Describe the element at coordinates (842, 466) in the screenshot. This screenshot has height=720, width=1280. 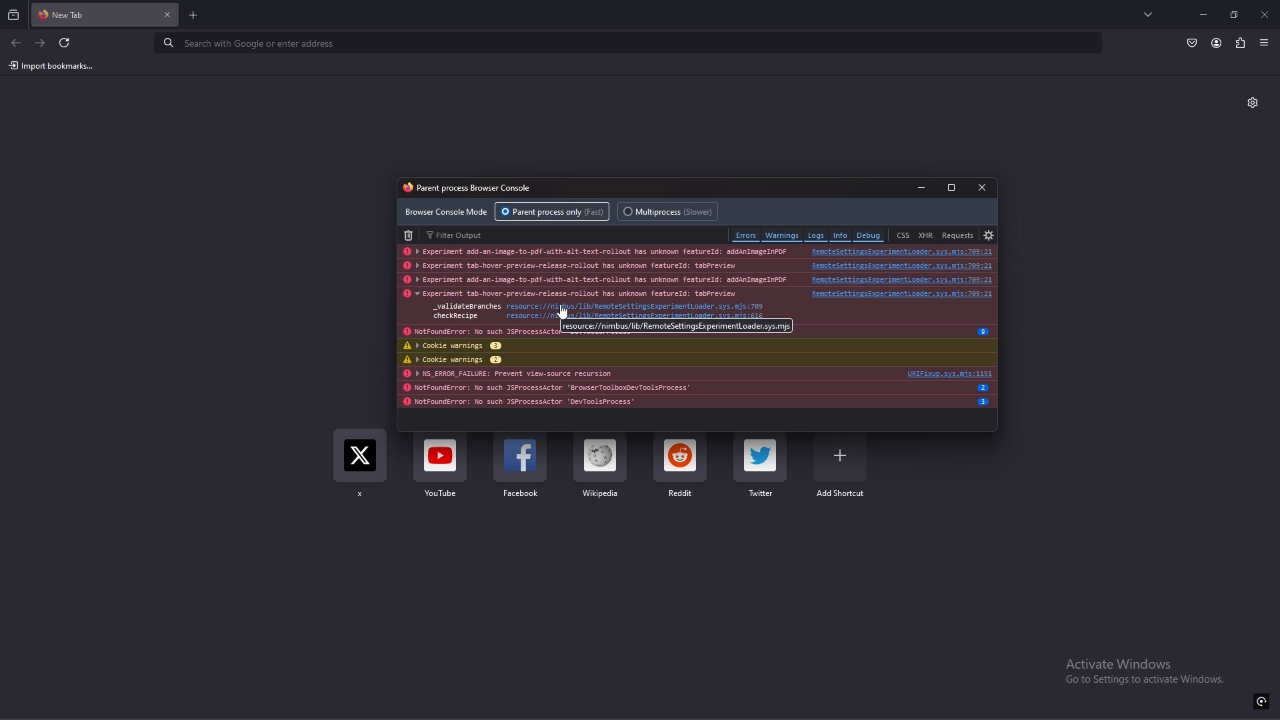
I see `add shortcut` at that location.